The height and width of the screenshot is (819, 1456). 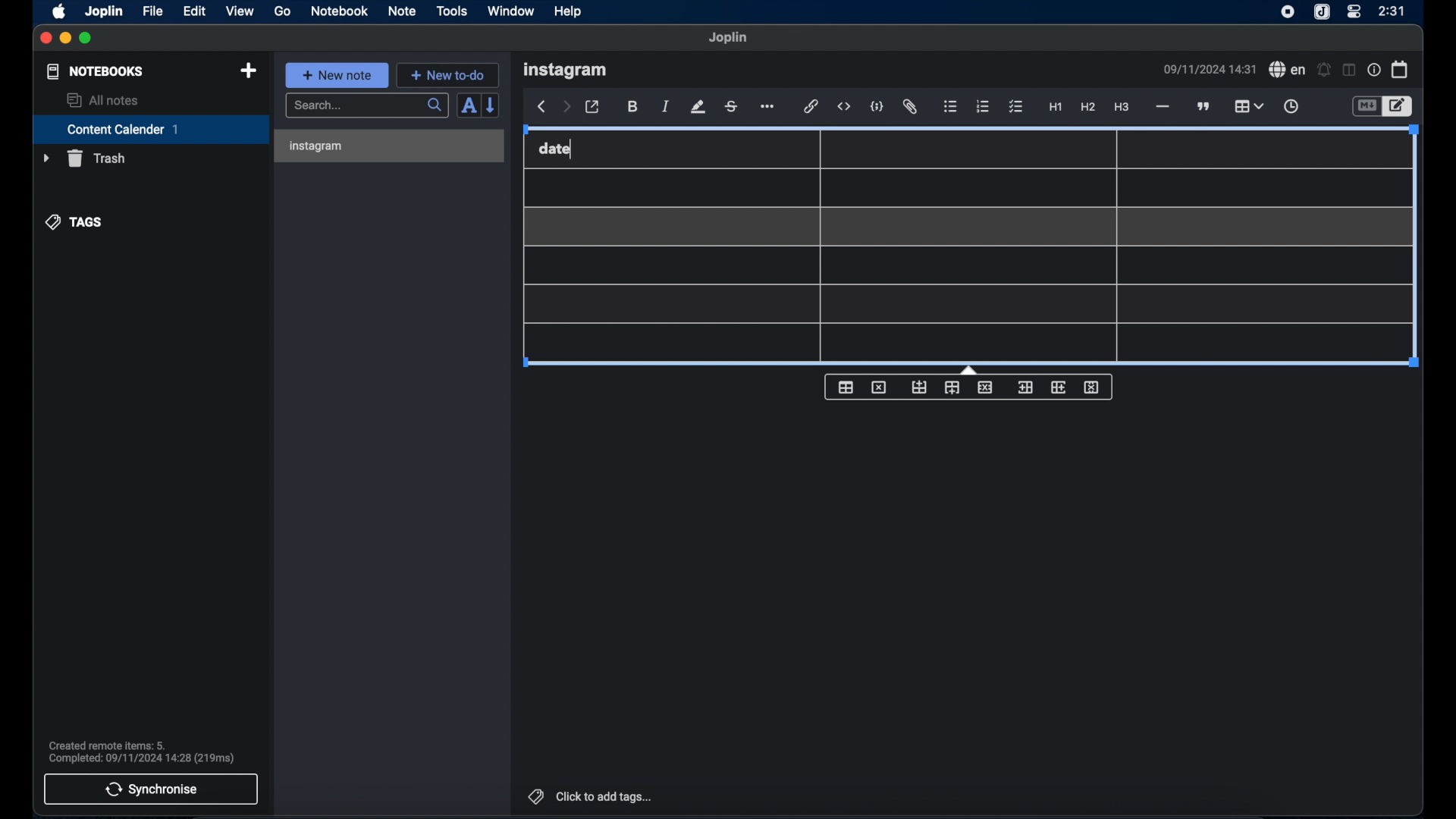 What do you see at coordinates (1210, 69) in the screenshot?
I see `09/11/2024 14:31(date and time)` at bounding box center [1210, 69].